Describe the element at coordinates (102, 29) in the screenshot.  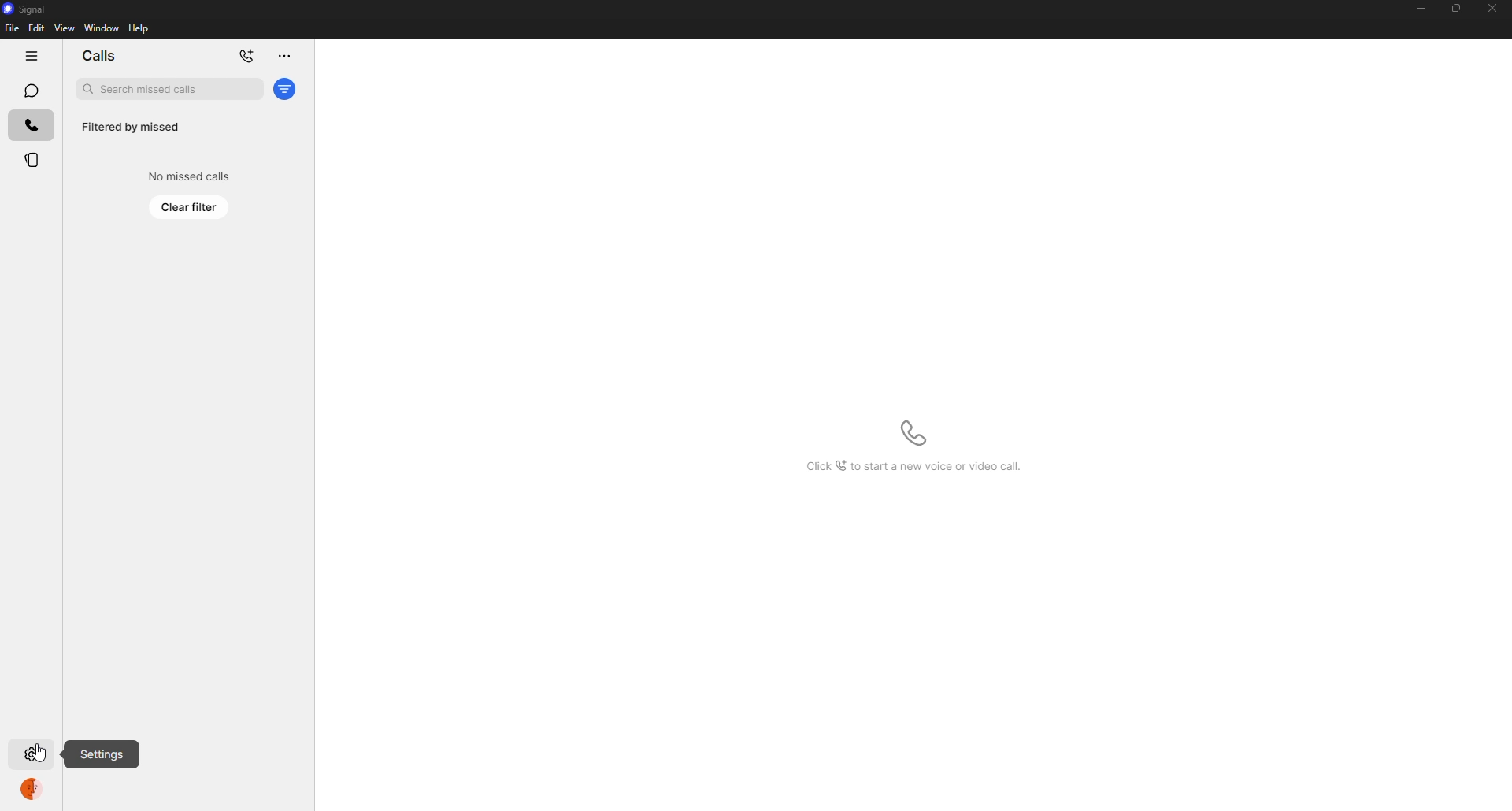
I see `window` at that location.